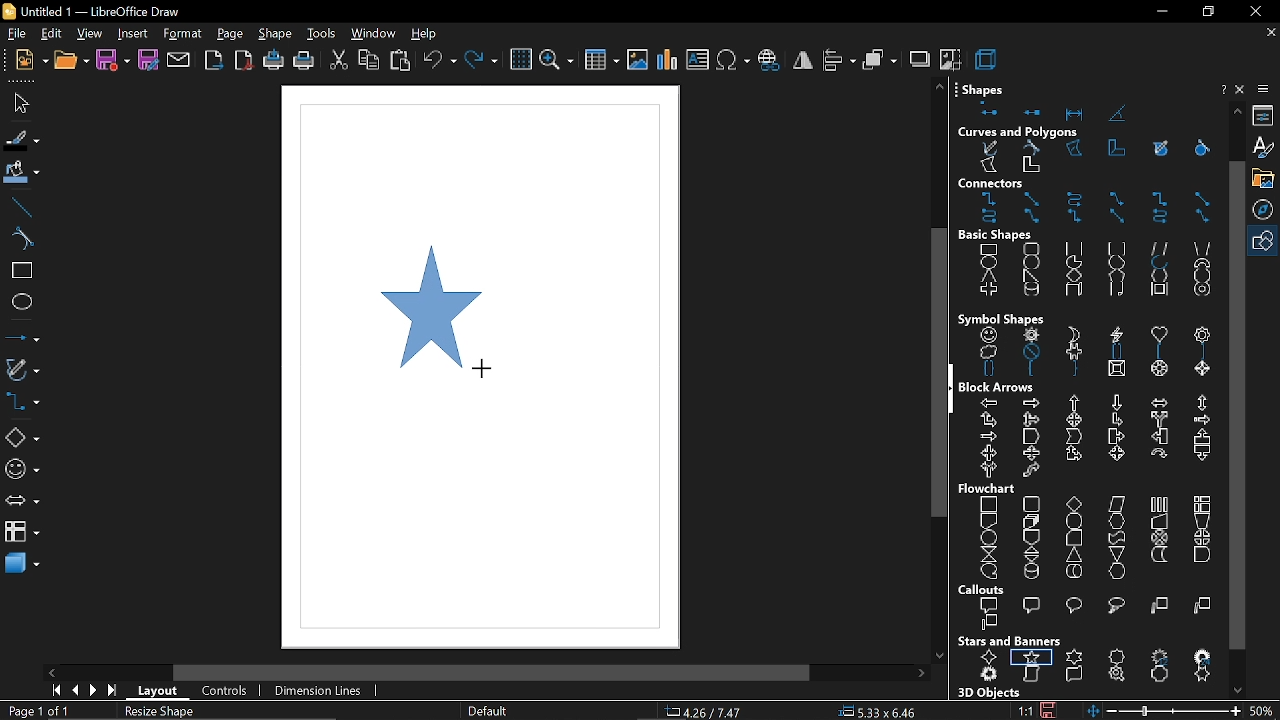  What do you see at coordinates (21, 206) in the screenshot?
I see `line` at bounding box center [21, 206].